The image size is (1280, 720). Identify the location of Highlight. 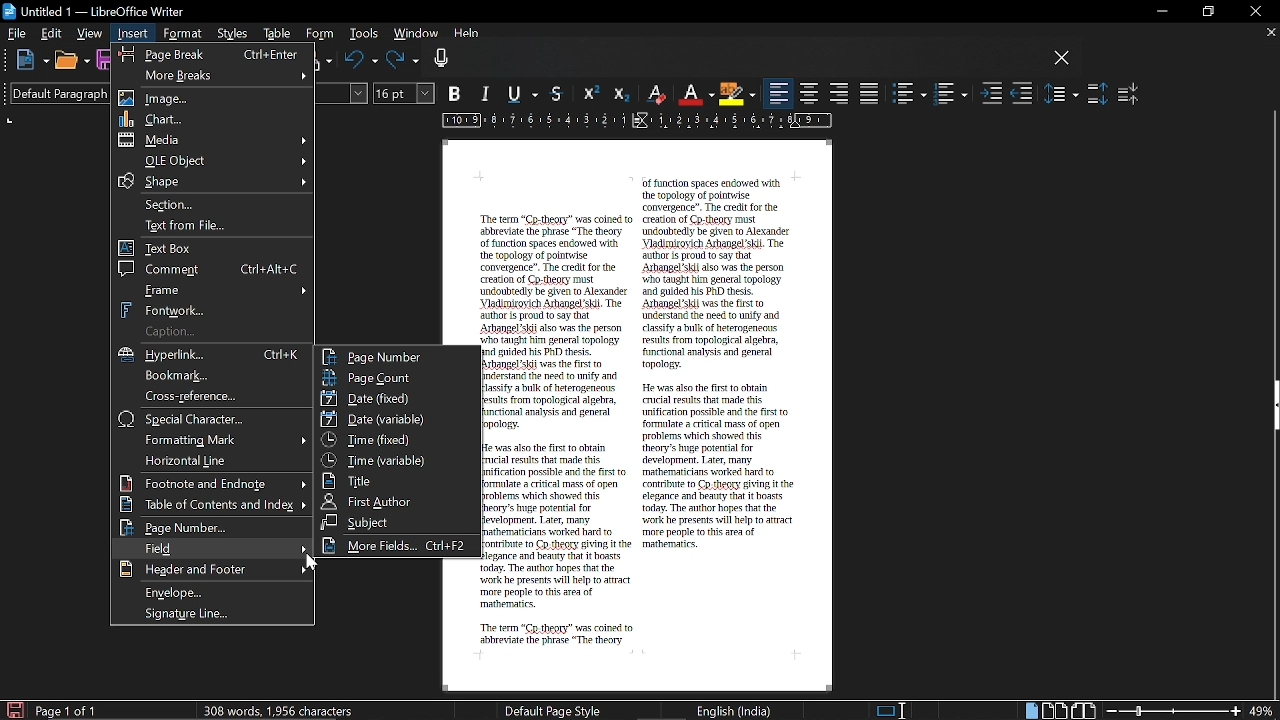
(736, 93).